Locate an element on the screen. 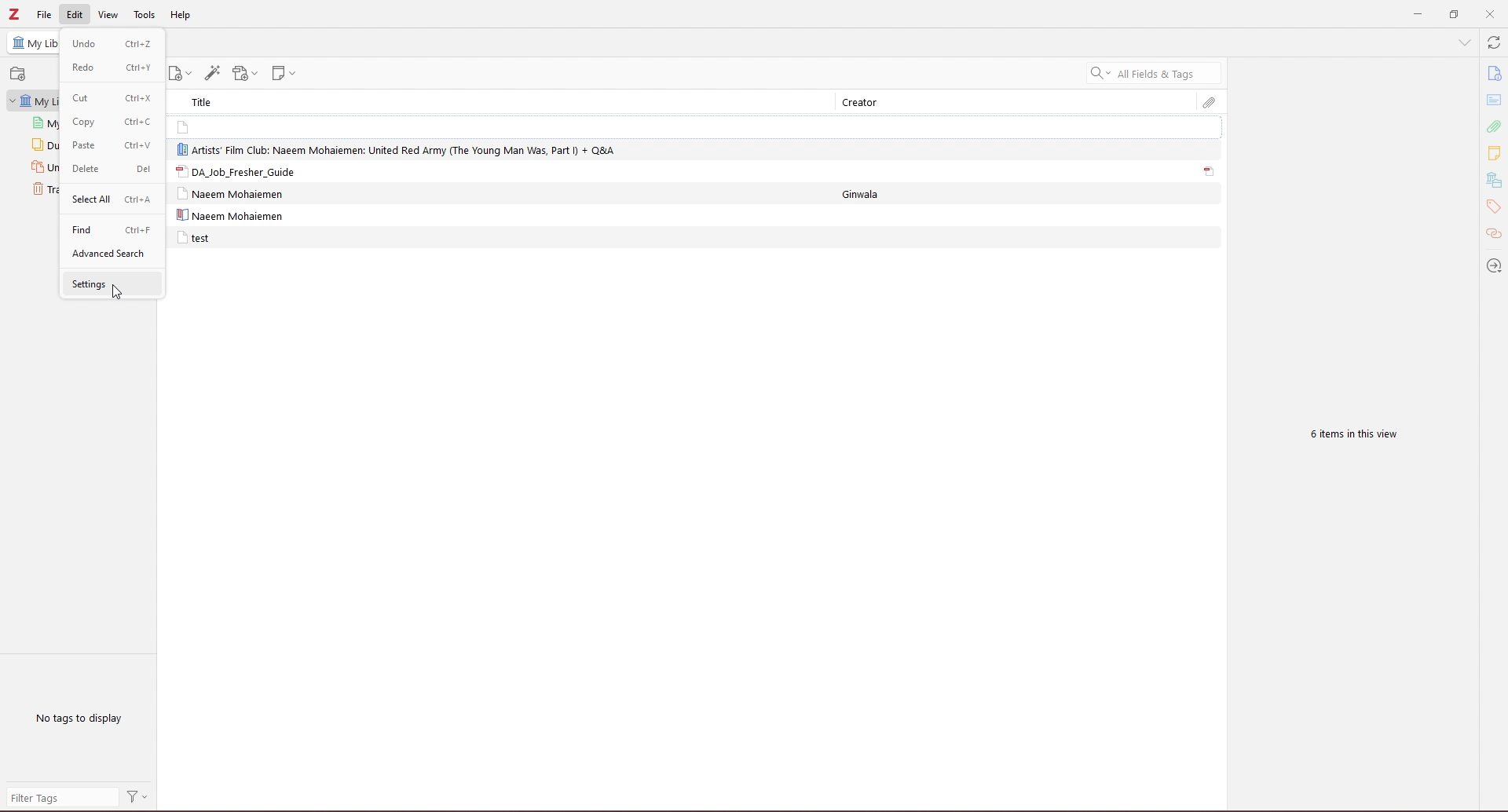 The height and width of the screenshot is (812, 1508). DA_Job_Fresher_Guide is located at coordinates (234, 171).